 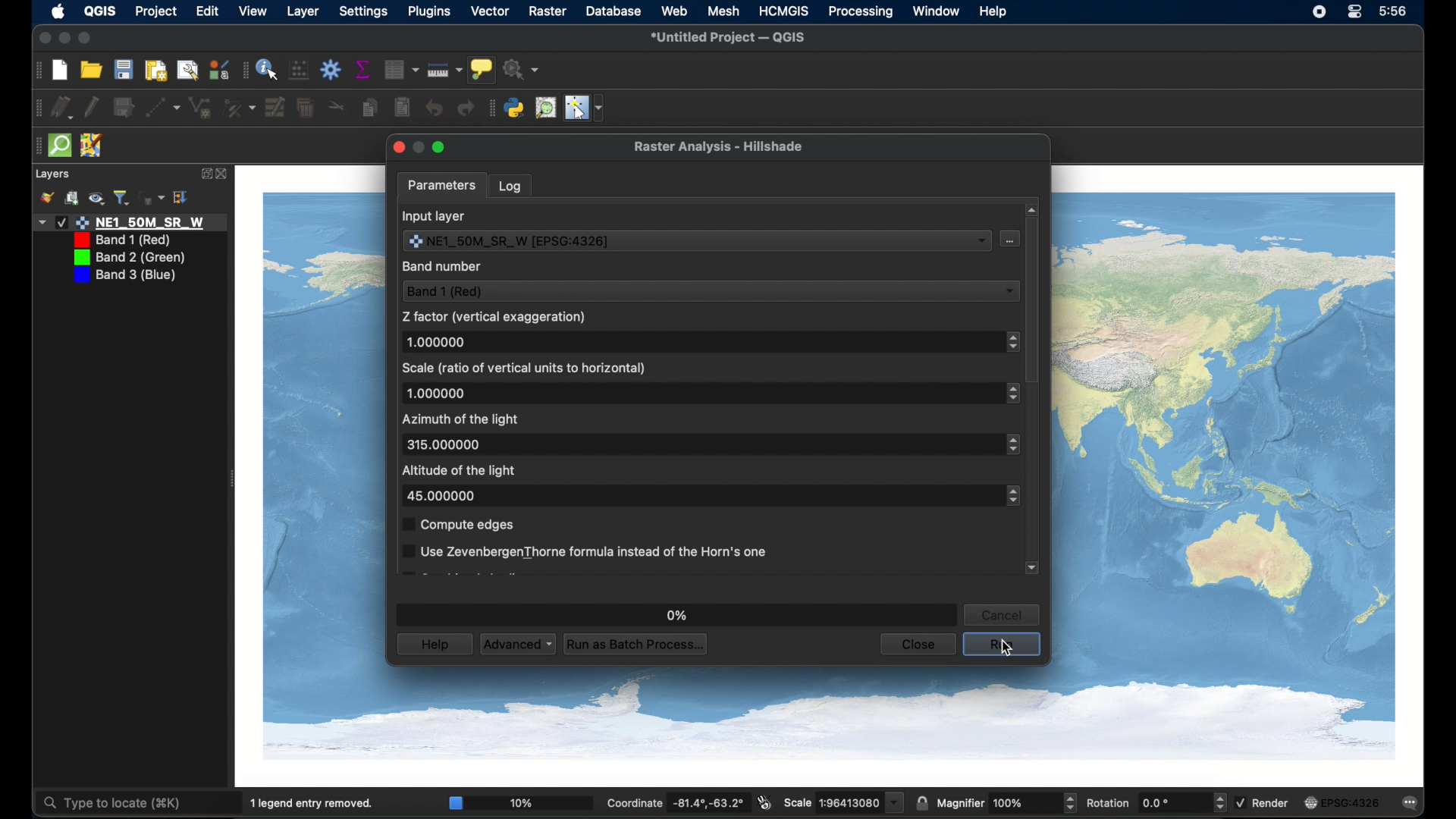 I want to click on screen recorder icon, so click(x=1319, y=13).